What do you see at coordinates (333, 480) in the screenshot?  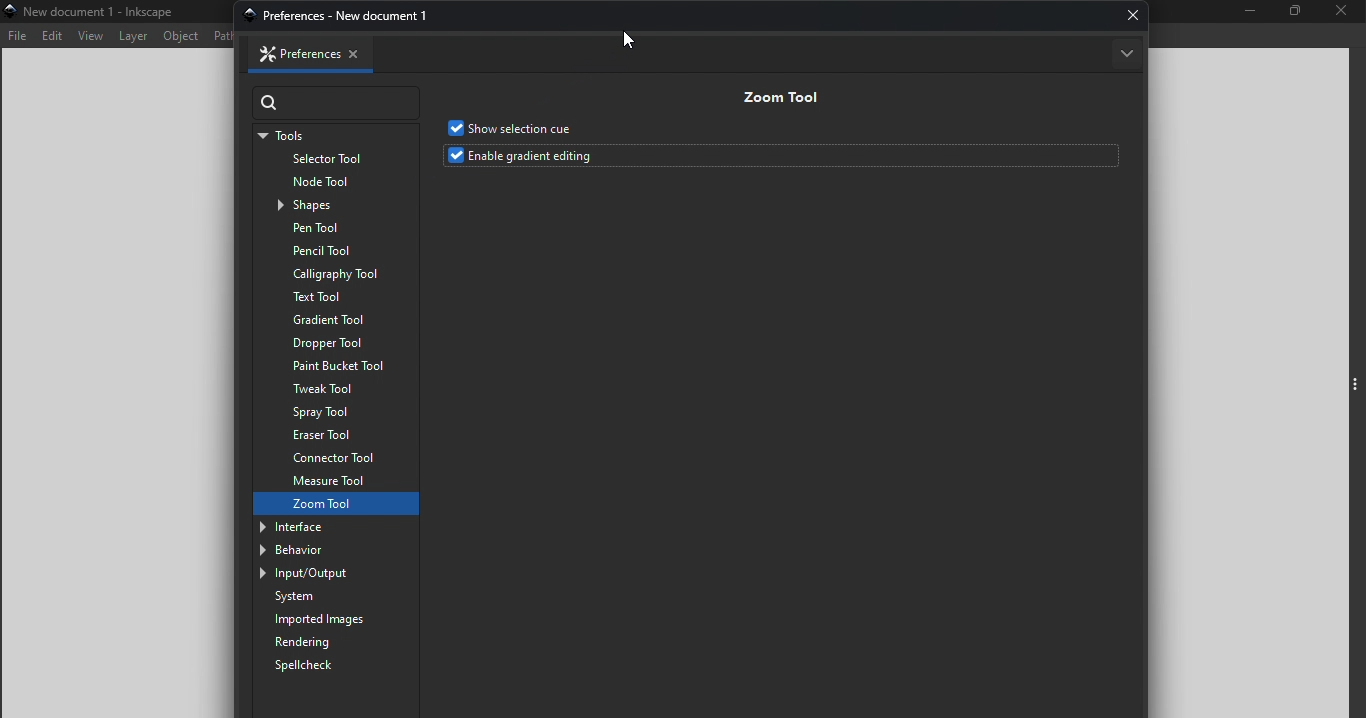 I see `Measure tool` at bounding box center [333, 480].